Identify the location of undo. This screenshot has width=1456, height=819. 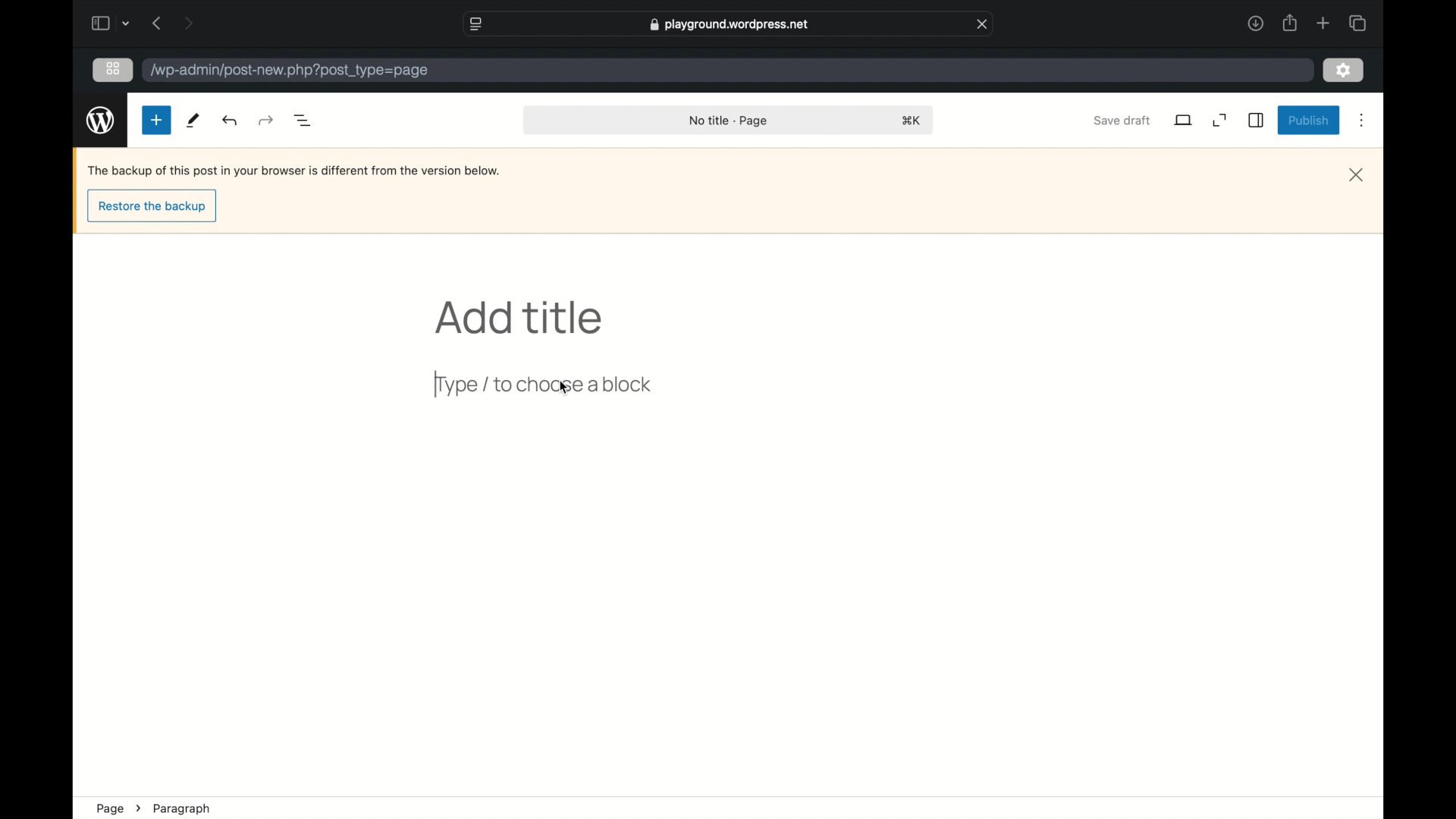
(267, 120).